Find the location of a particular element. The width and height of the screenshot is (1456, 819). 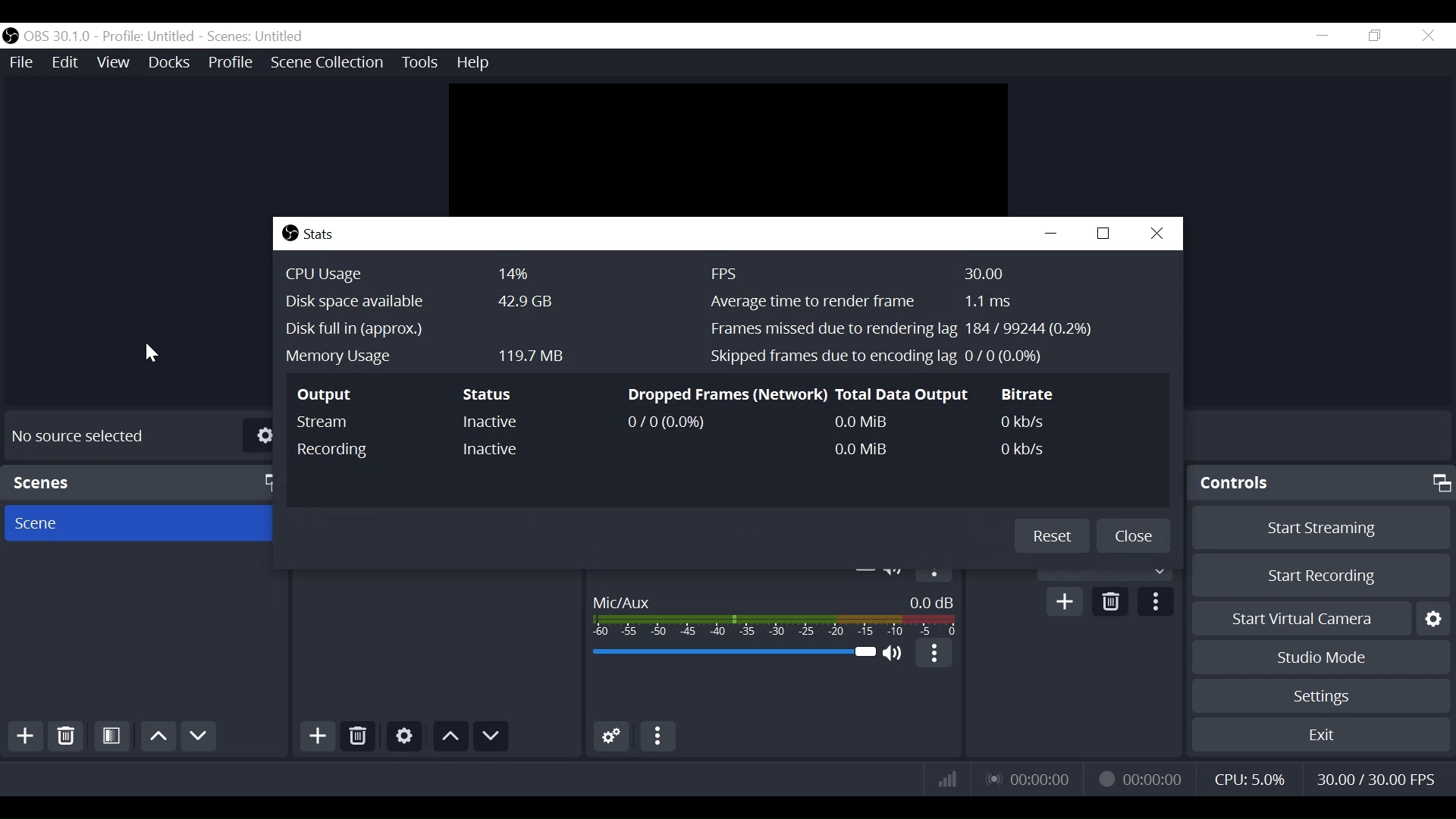

Inactive is located at coordinates (491, 423).